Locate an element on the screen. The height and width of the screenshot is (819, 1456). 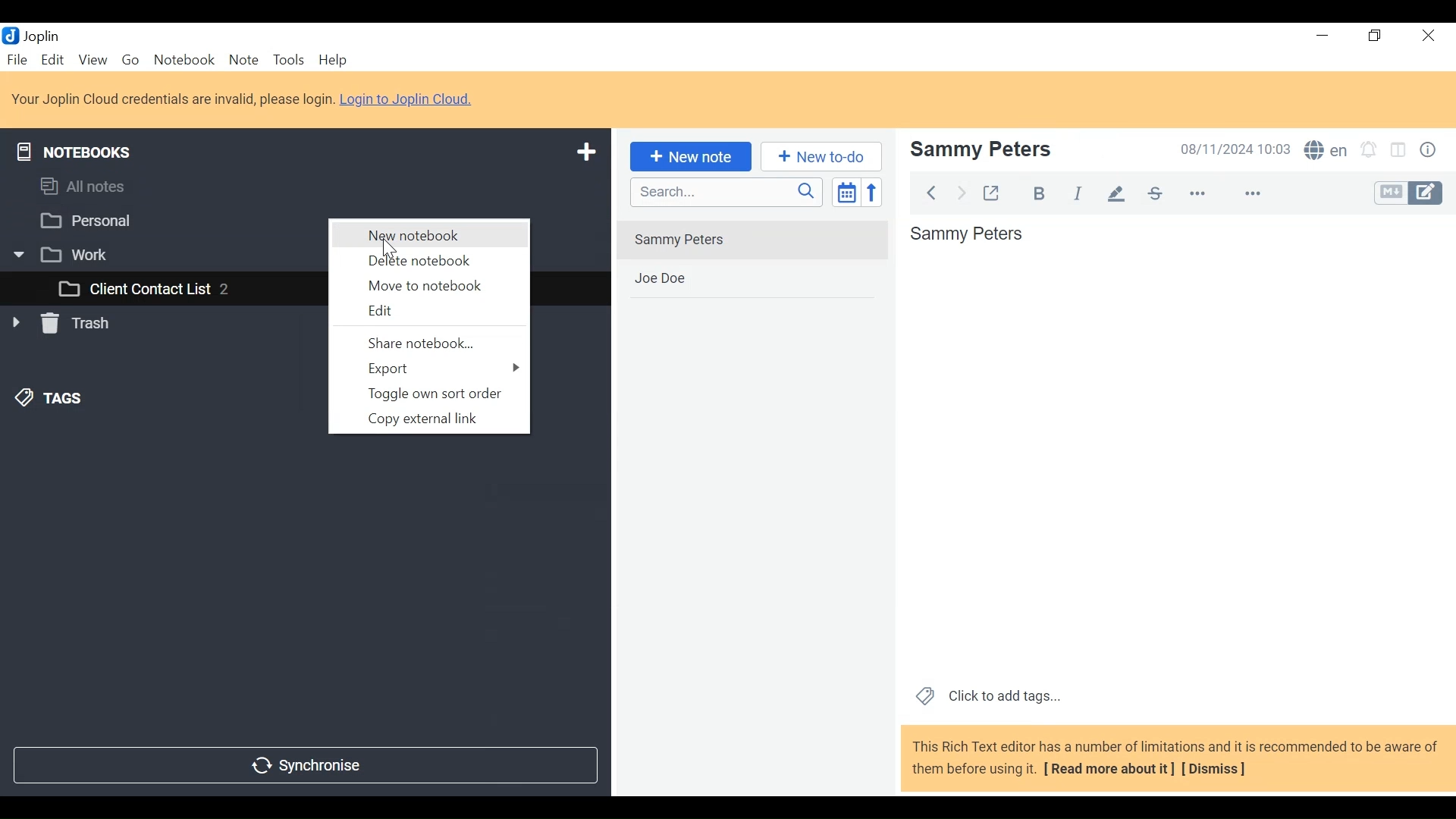
New Notebook is located at coordinates (428, 235).